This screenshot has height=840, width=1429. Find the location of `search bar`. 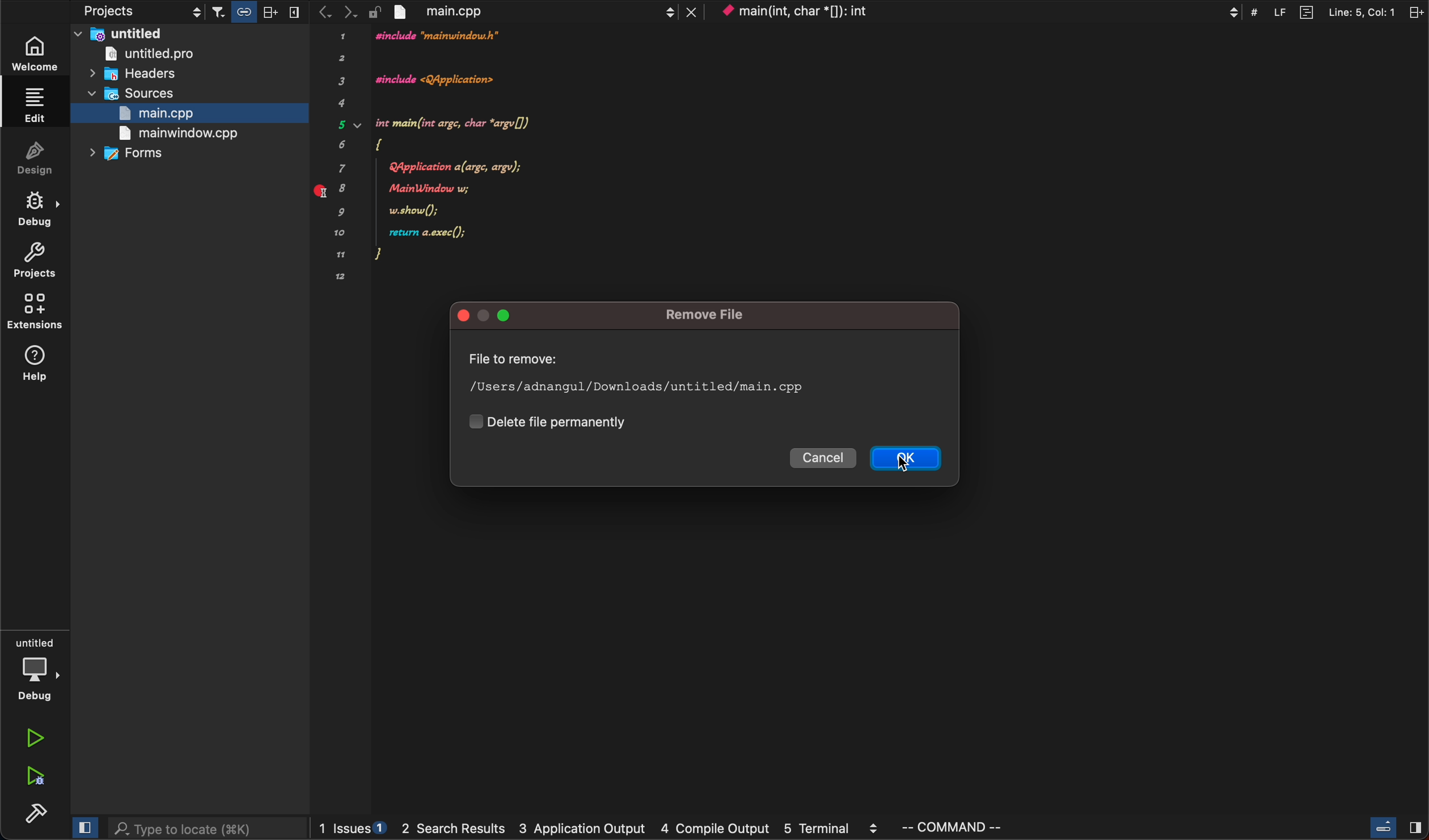

search bar is located at coordinates (206, 830).